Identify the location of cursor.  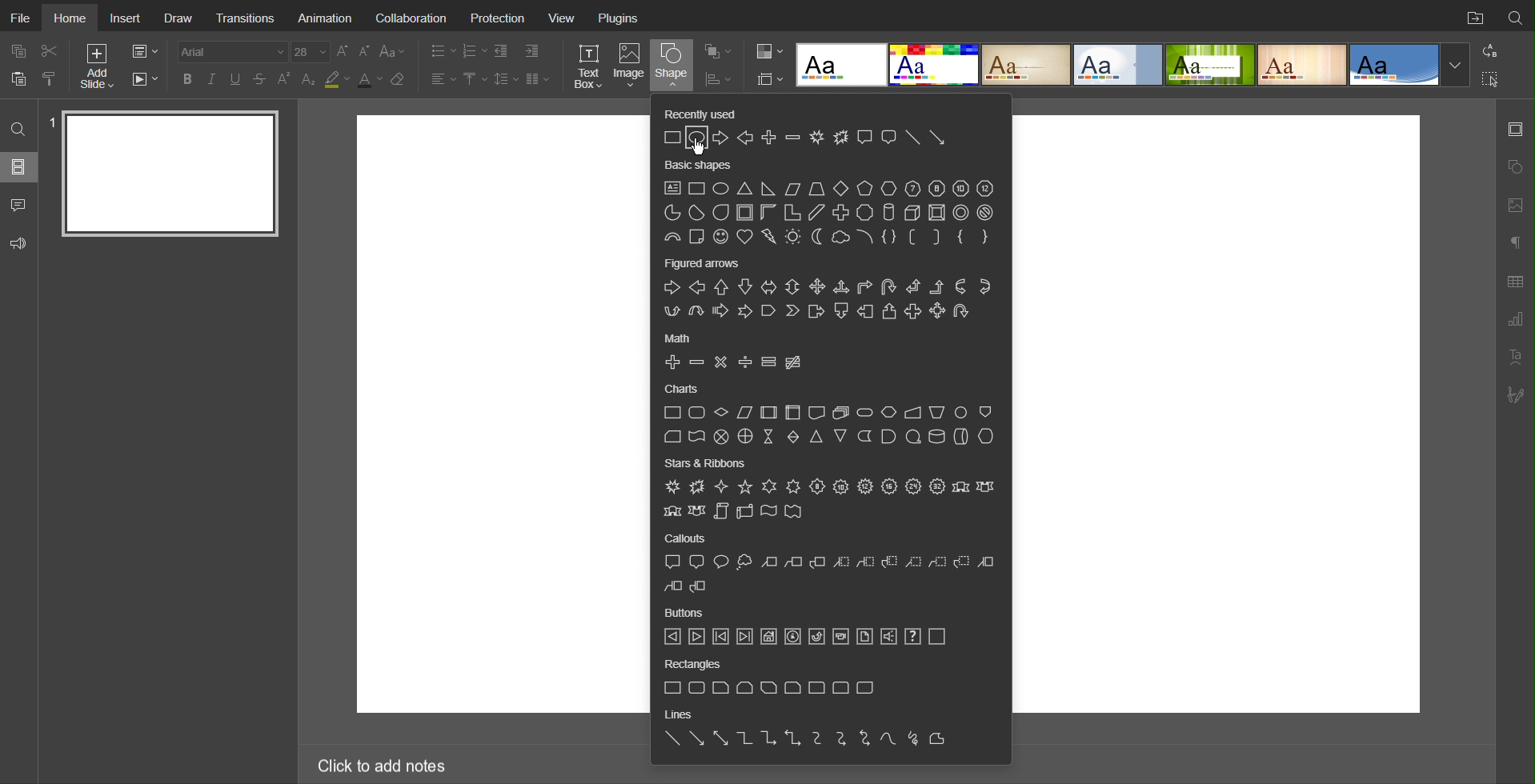
(699, 147).